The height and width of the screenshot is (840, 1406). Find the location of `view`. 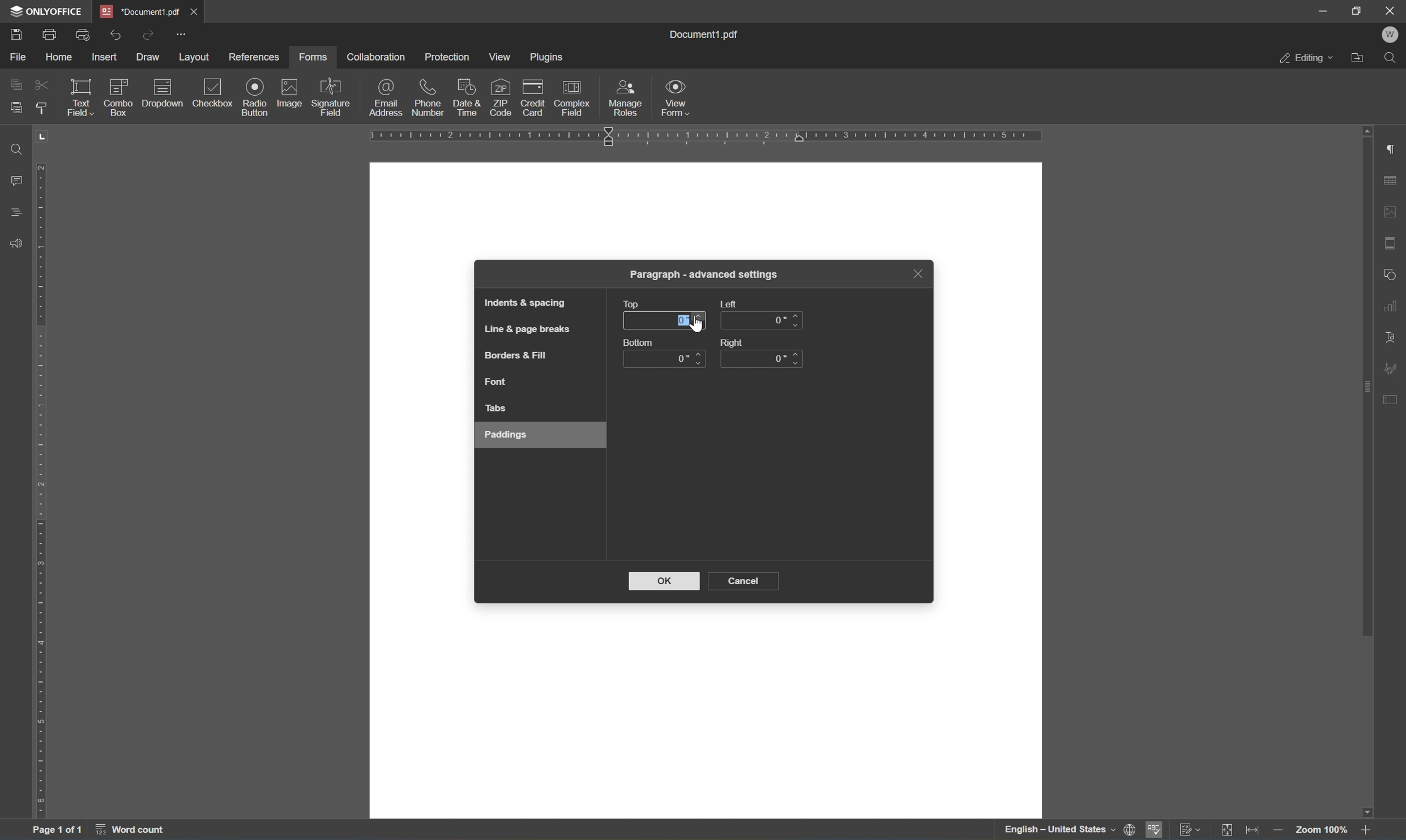

view is located at coordinates (503, 57).